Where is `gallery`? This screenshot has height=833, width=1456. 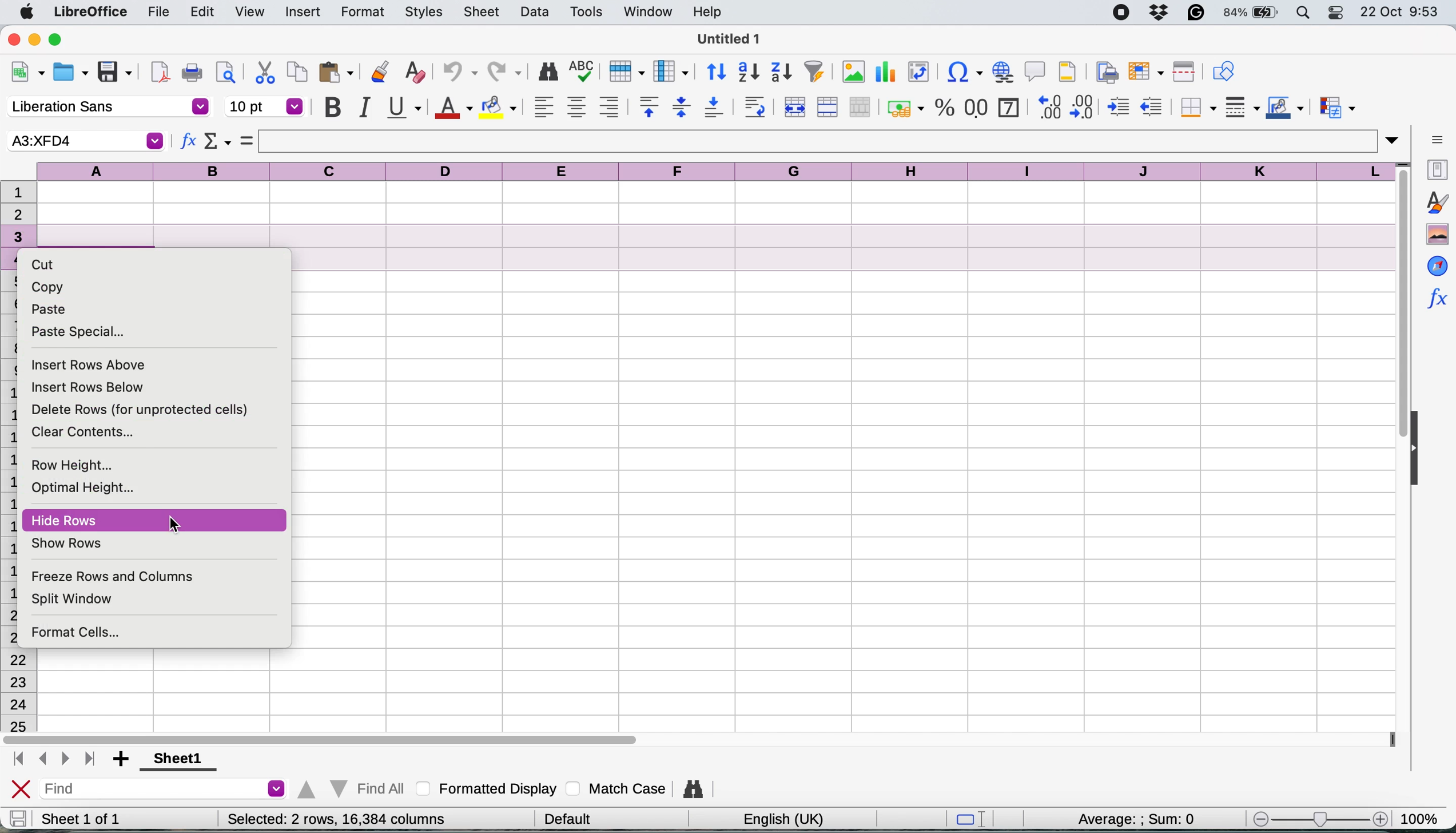 gallery is located at coordinates (1437, 235).